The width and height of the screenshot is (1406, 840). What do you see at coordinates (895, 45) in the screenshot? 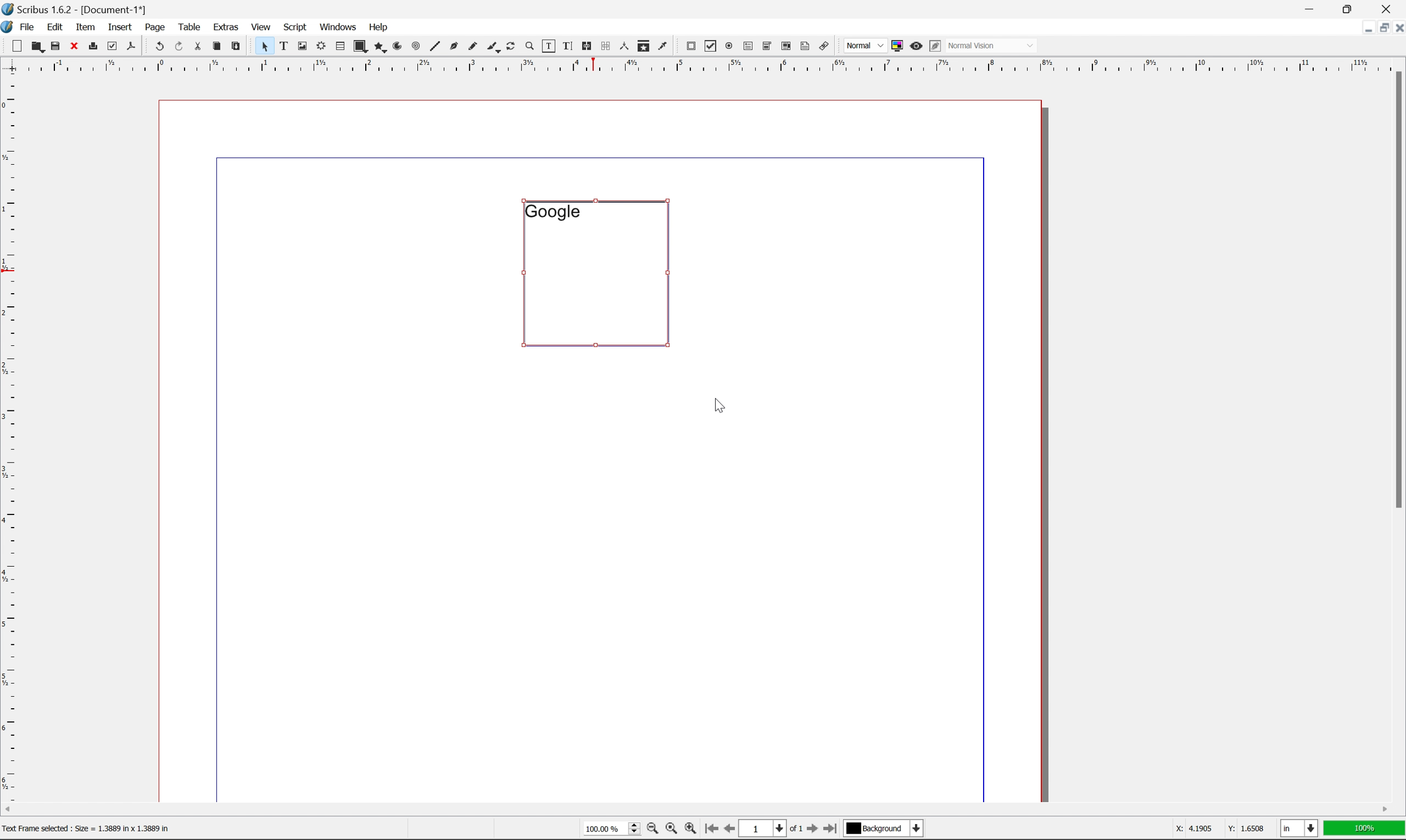
I see `toggle color management system` at bounding box center [895, 45].